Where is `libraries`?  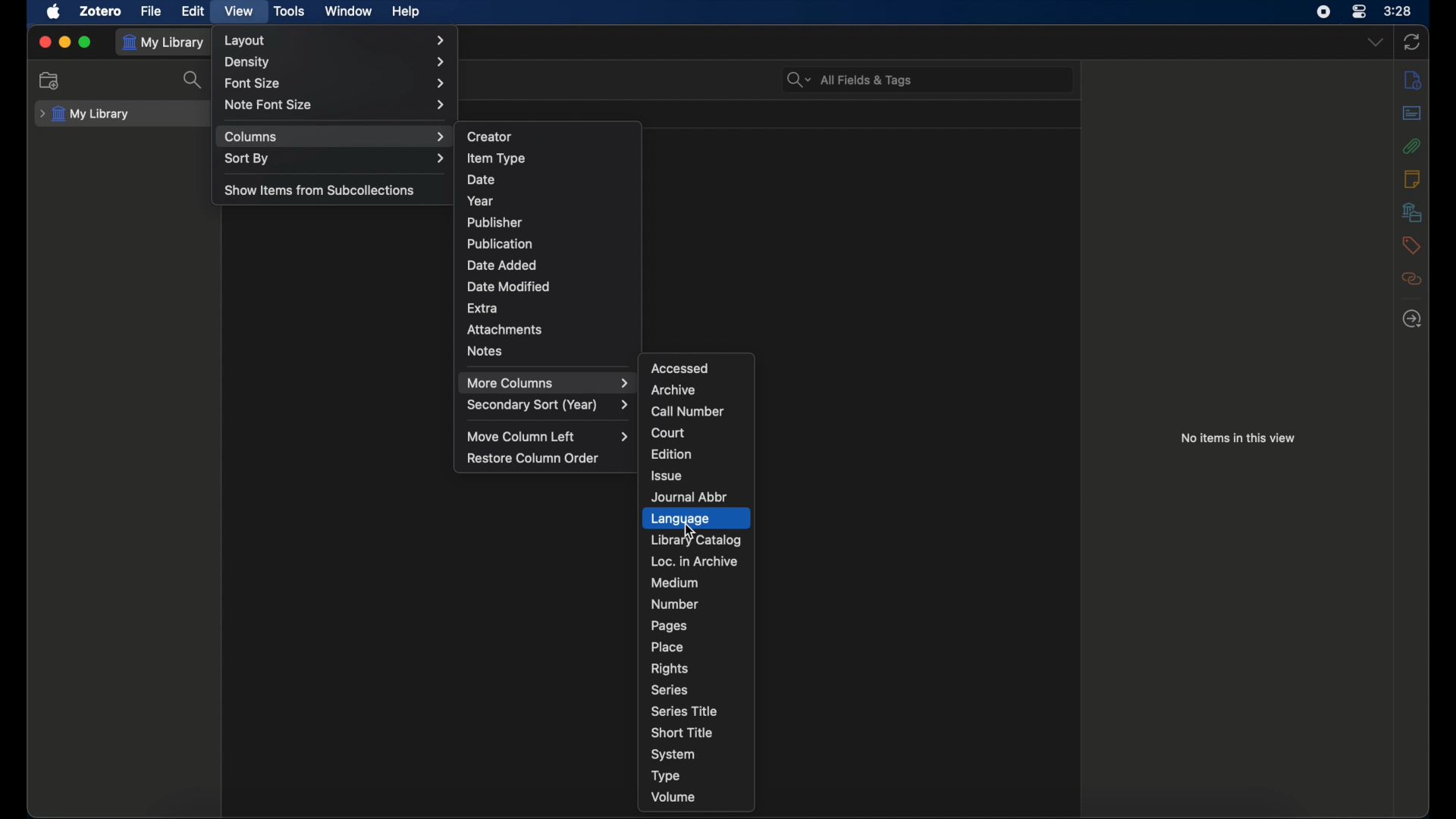
libraries is located at coordinates (1411, 212).